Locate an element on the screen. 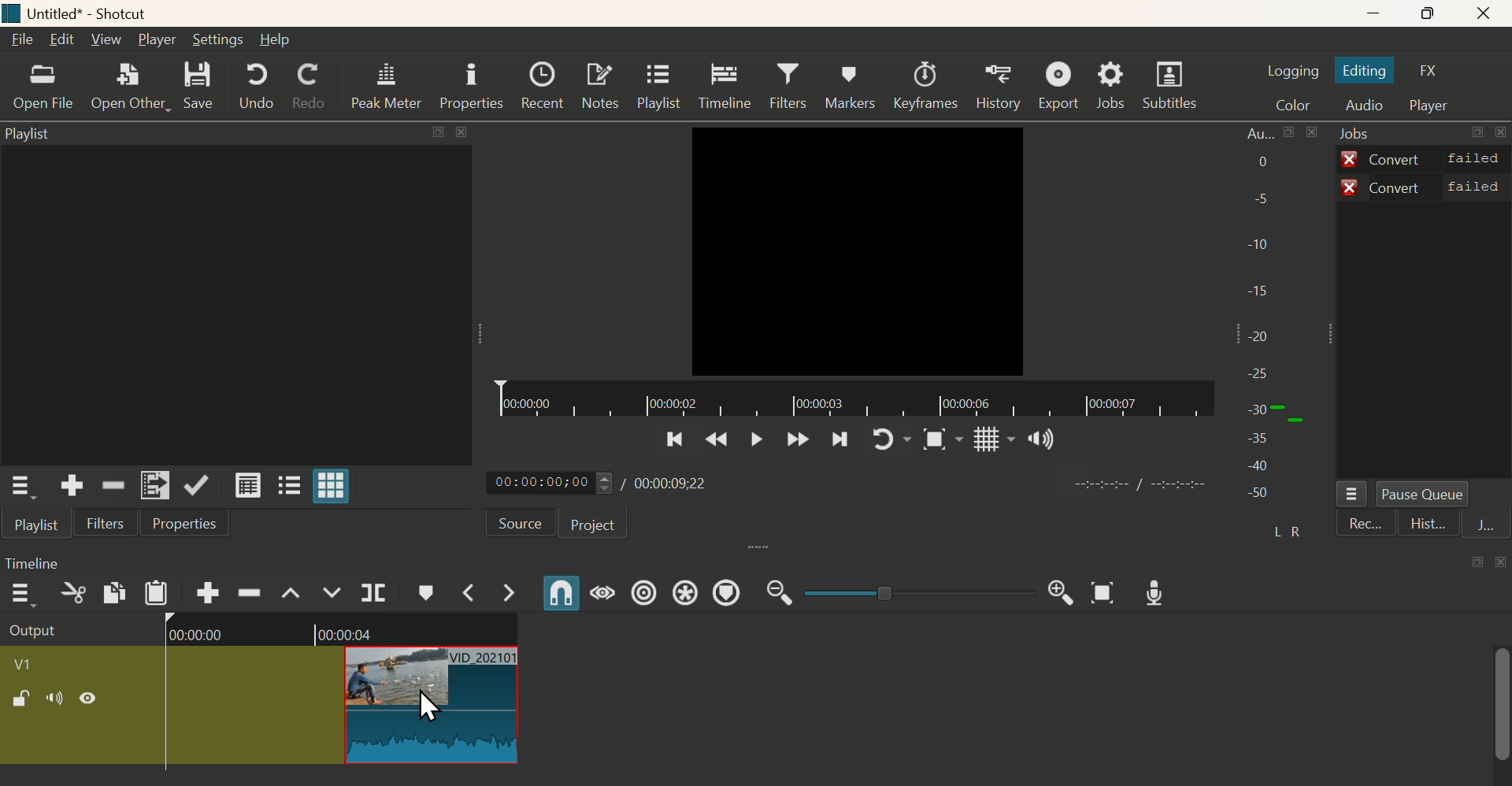 The height and width of the screenshot is (786, 1512).  is located at coordinates (726, 593).